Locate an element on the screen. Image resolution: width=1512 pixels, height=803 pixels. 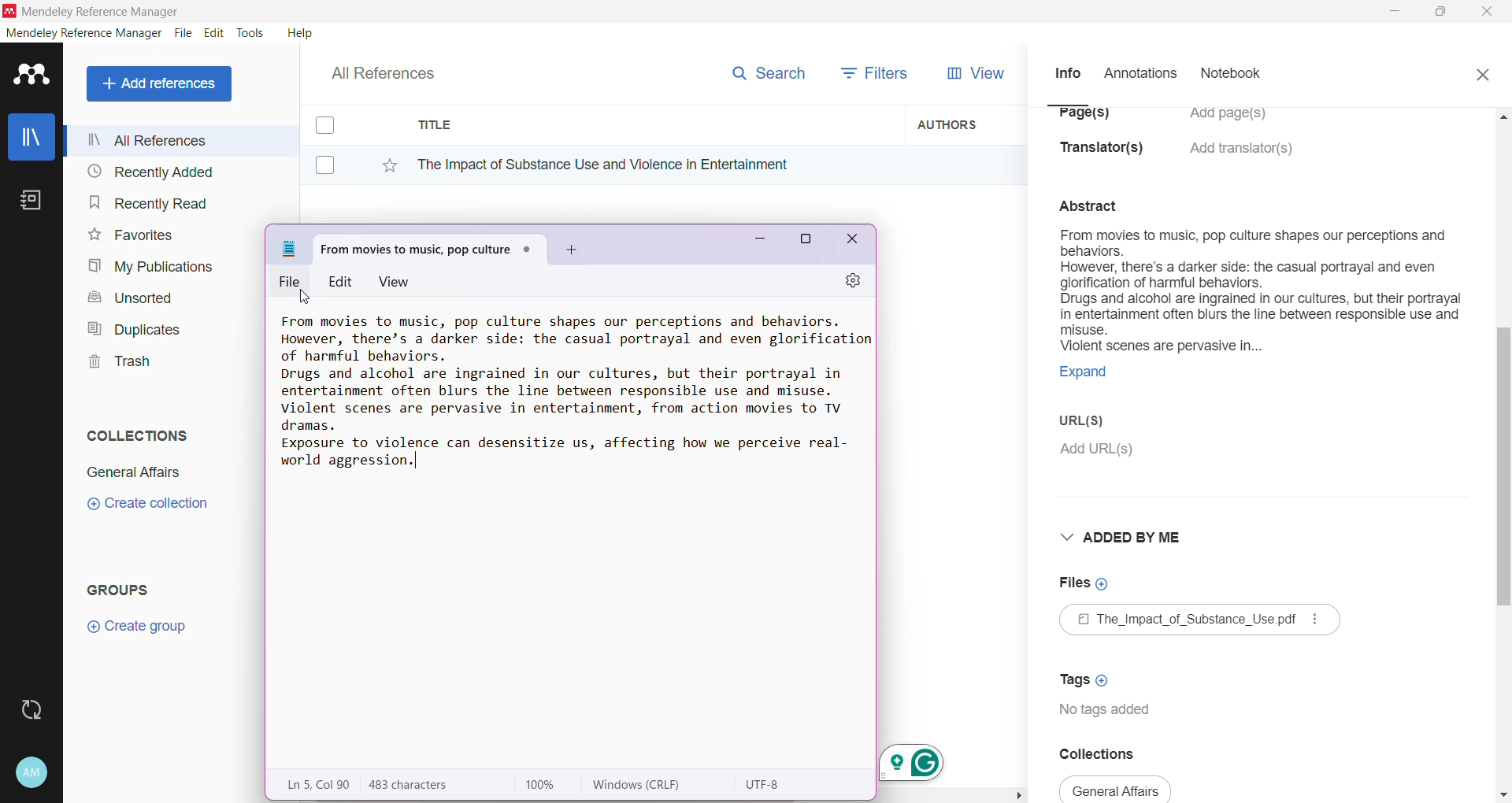
Trash is located at coordinates (115, 364).